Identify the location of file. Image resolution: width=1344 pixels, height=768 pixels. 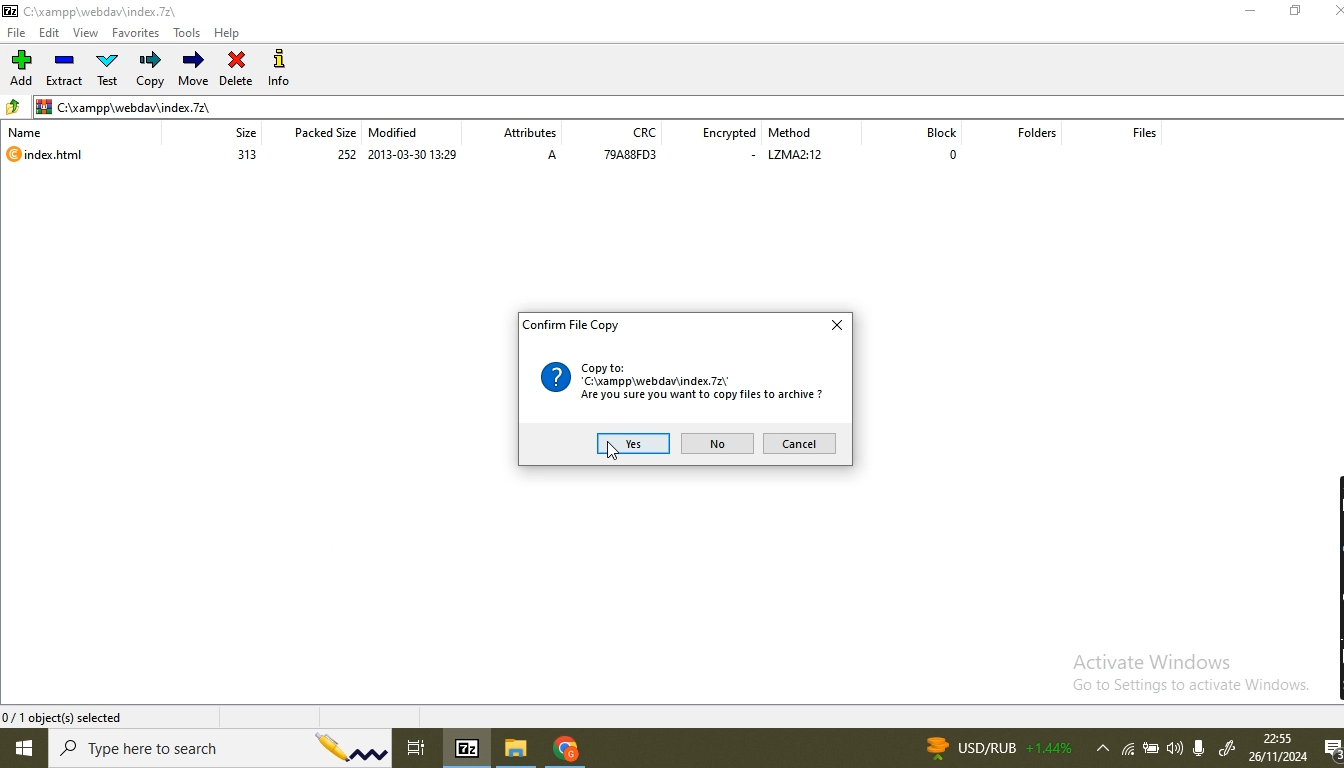
(20, 33).